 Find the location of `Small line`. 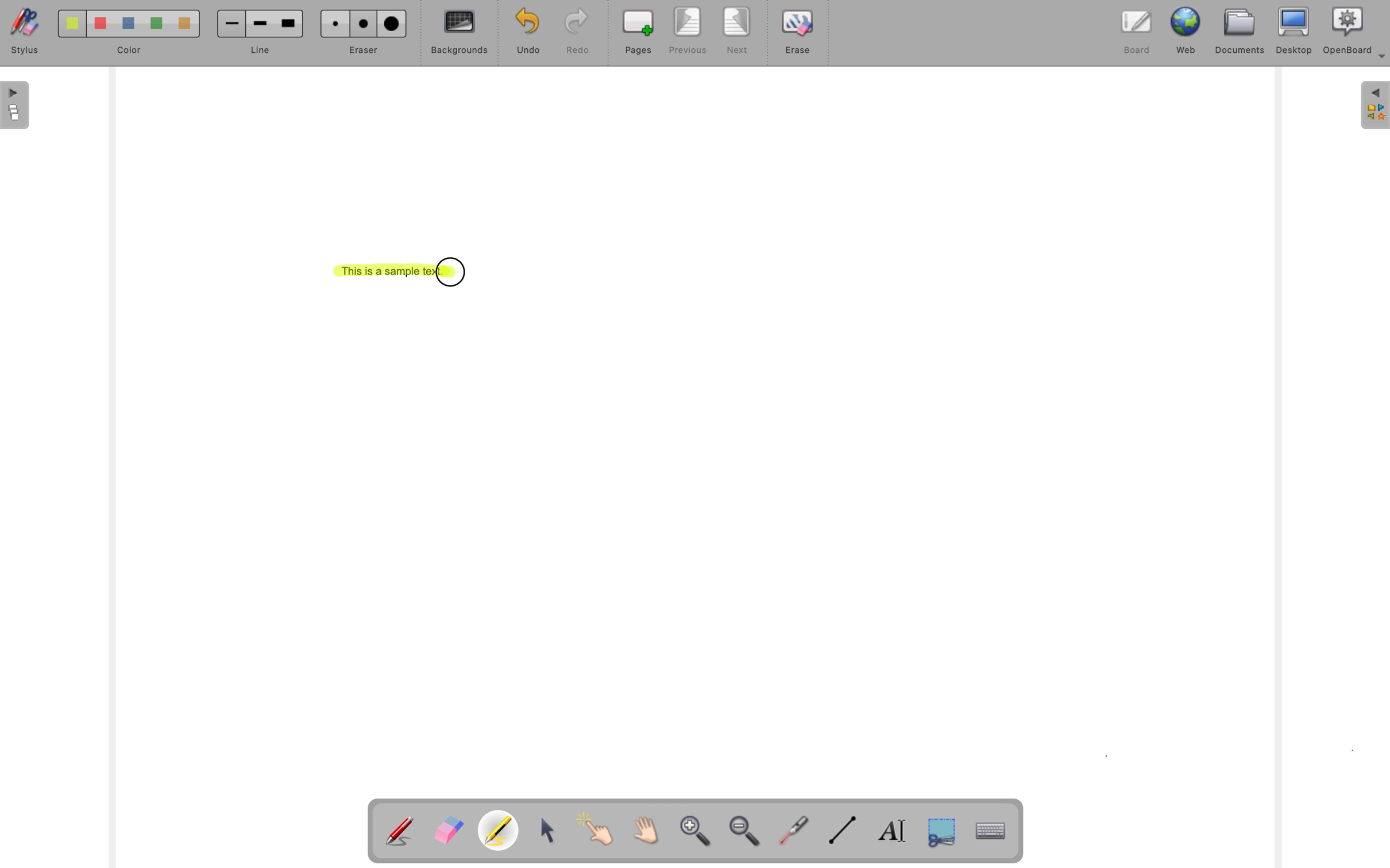

Small line is located at coordinates (232, 24).